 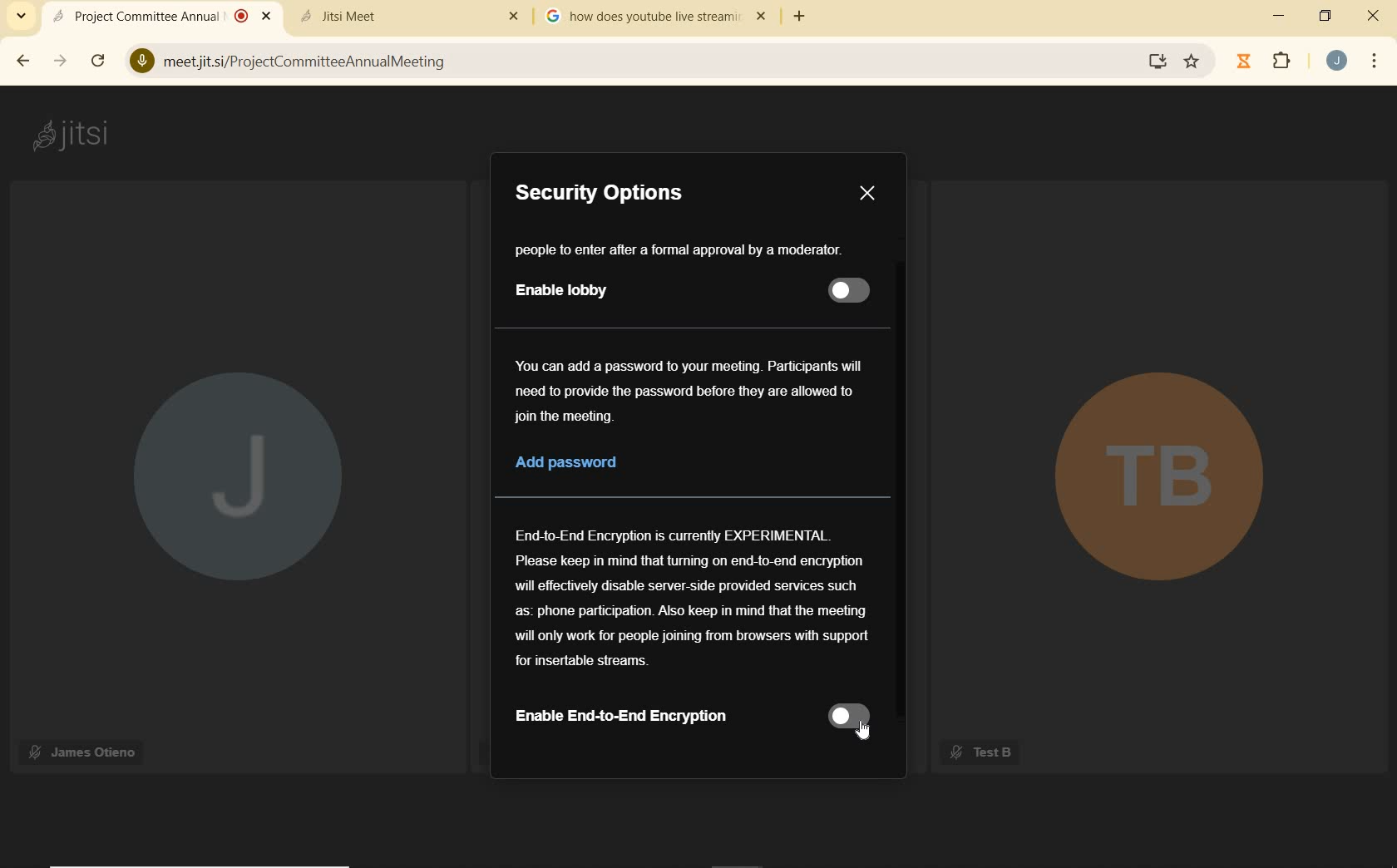 I want to click on Security Options, so click(x=600, y=192).